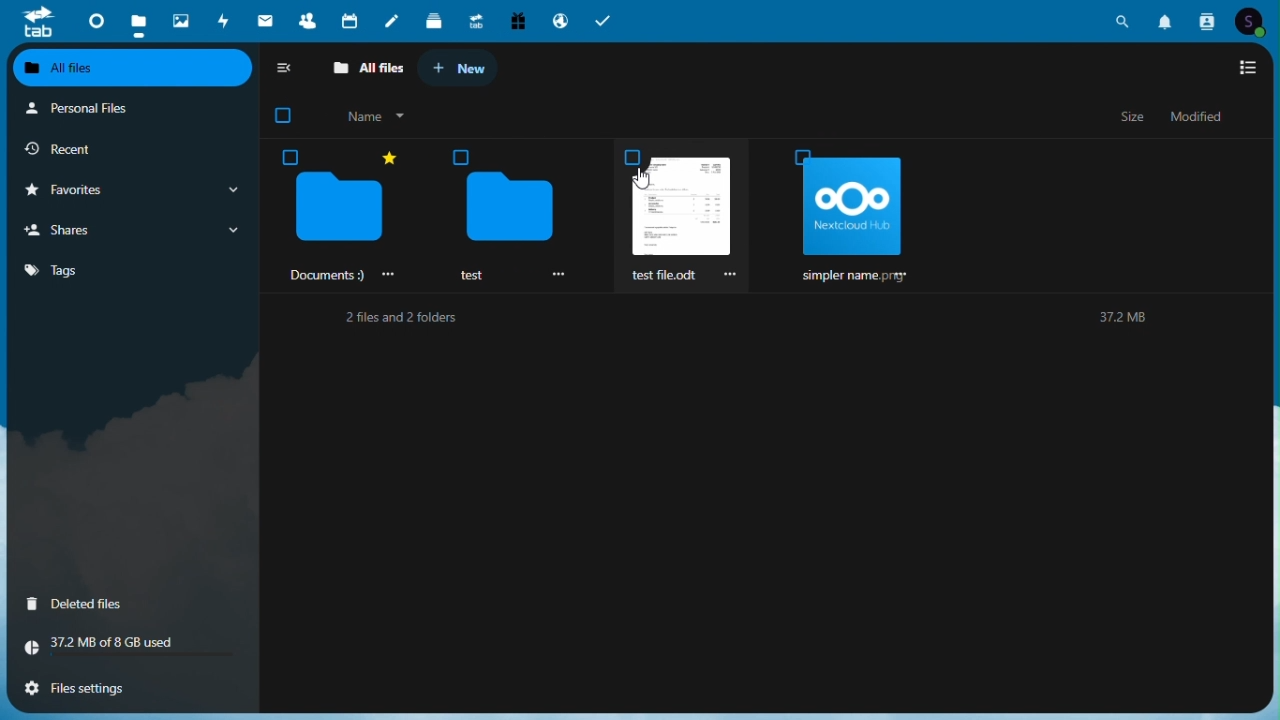 This screenshot has height=720, width=1280. I want to click on test, so click(507, 214).